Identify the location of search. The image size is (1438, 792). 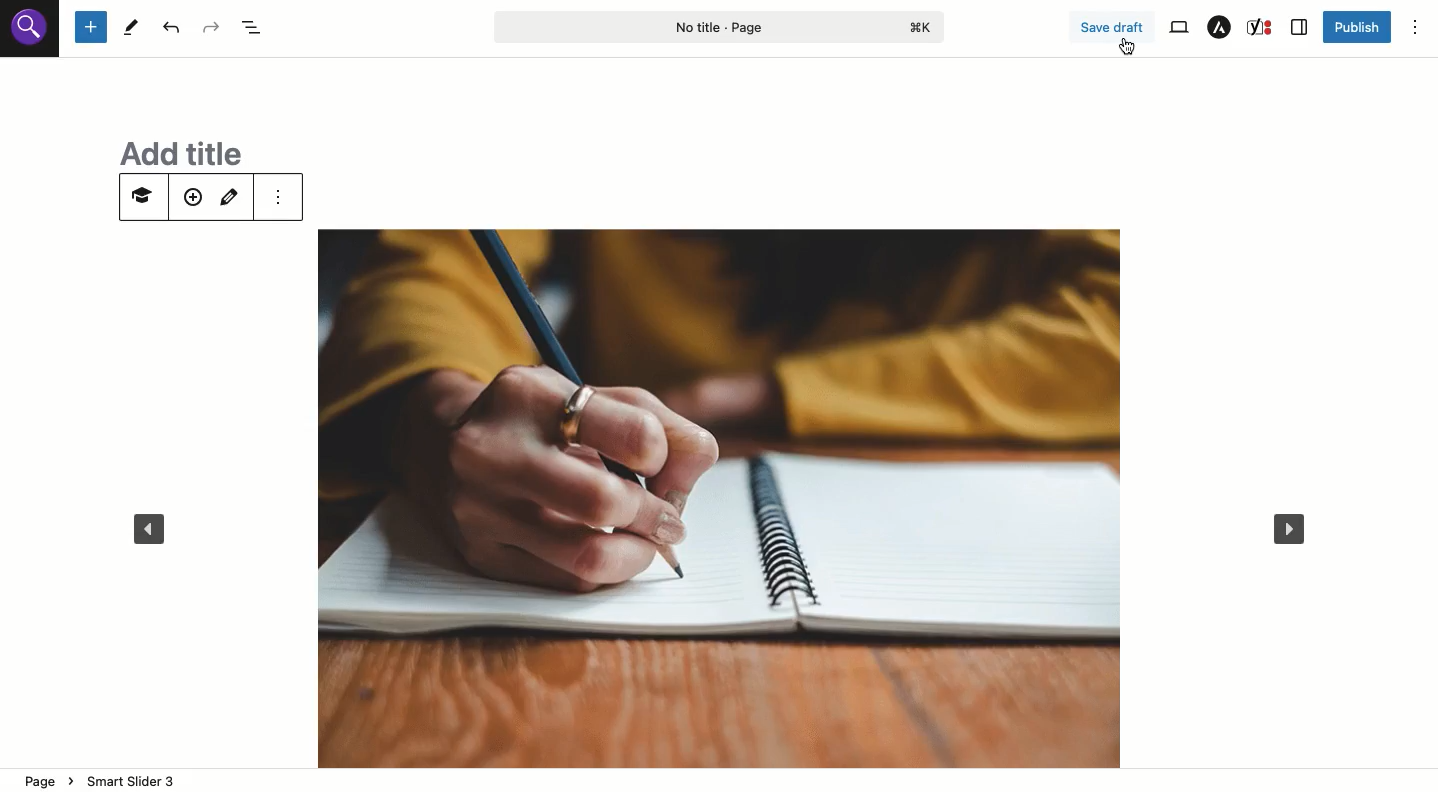
(31, 34).